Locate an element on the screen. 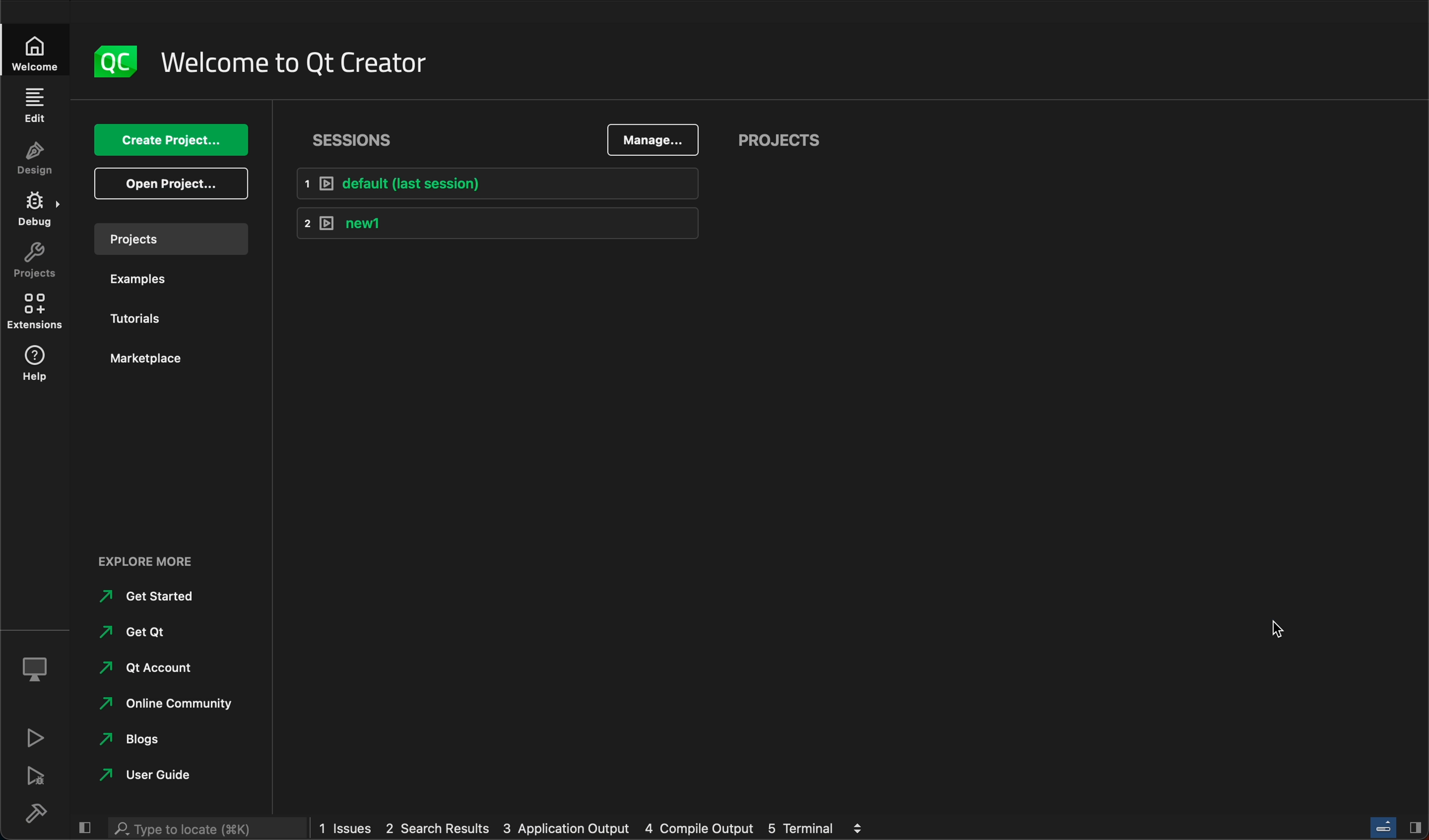 Image resolution: width=1429 pixels, height=840 pixels. Type to locate (K) is located at coordinates (205, 828).